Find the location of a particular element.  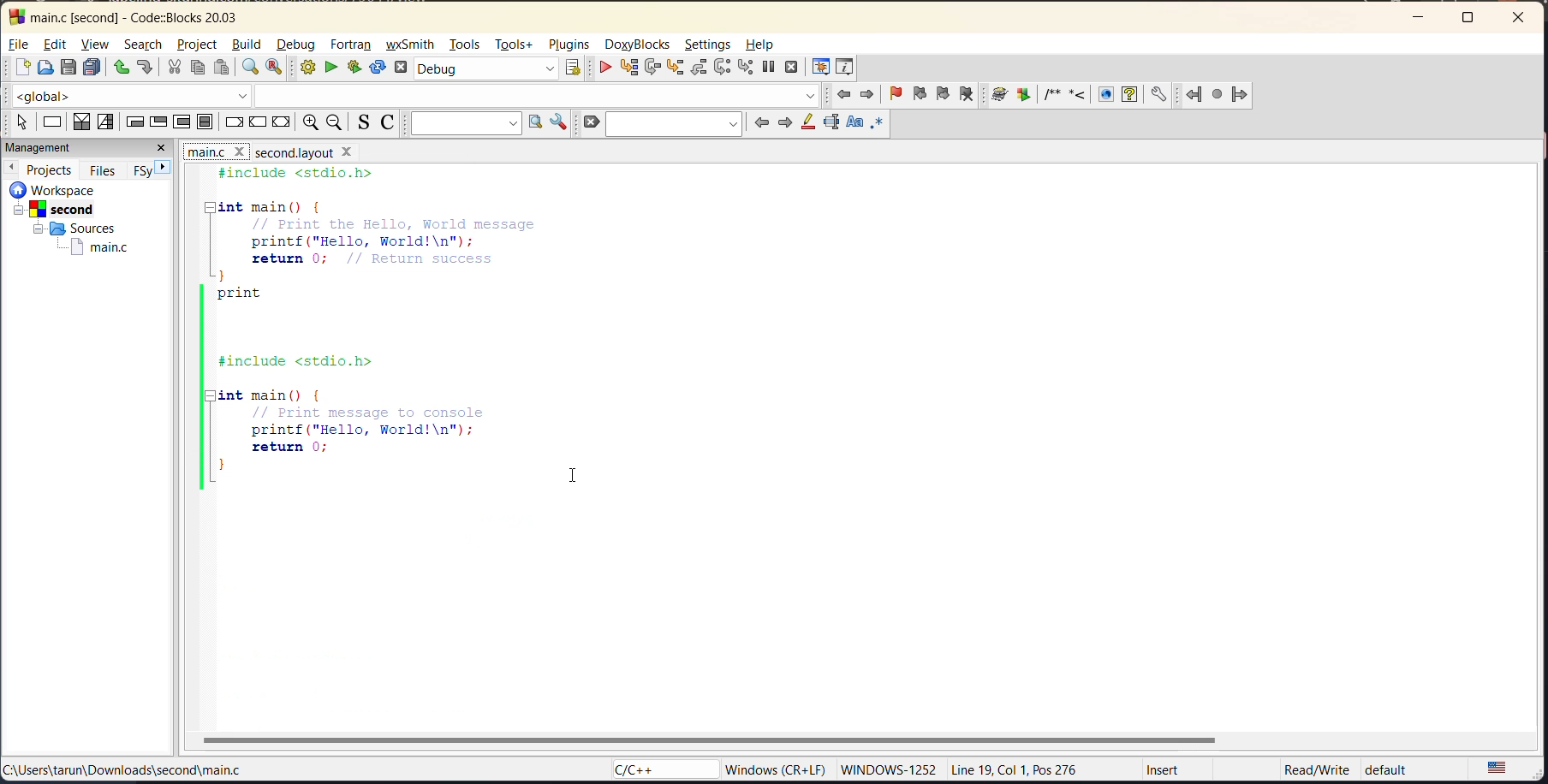

sources is located at coordinates (79, 229).